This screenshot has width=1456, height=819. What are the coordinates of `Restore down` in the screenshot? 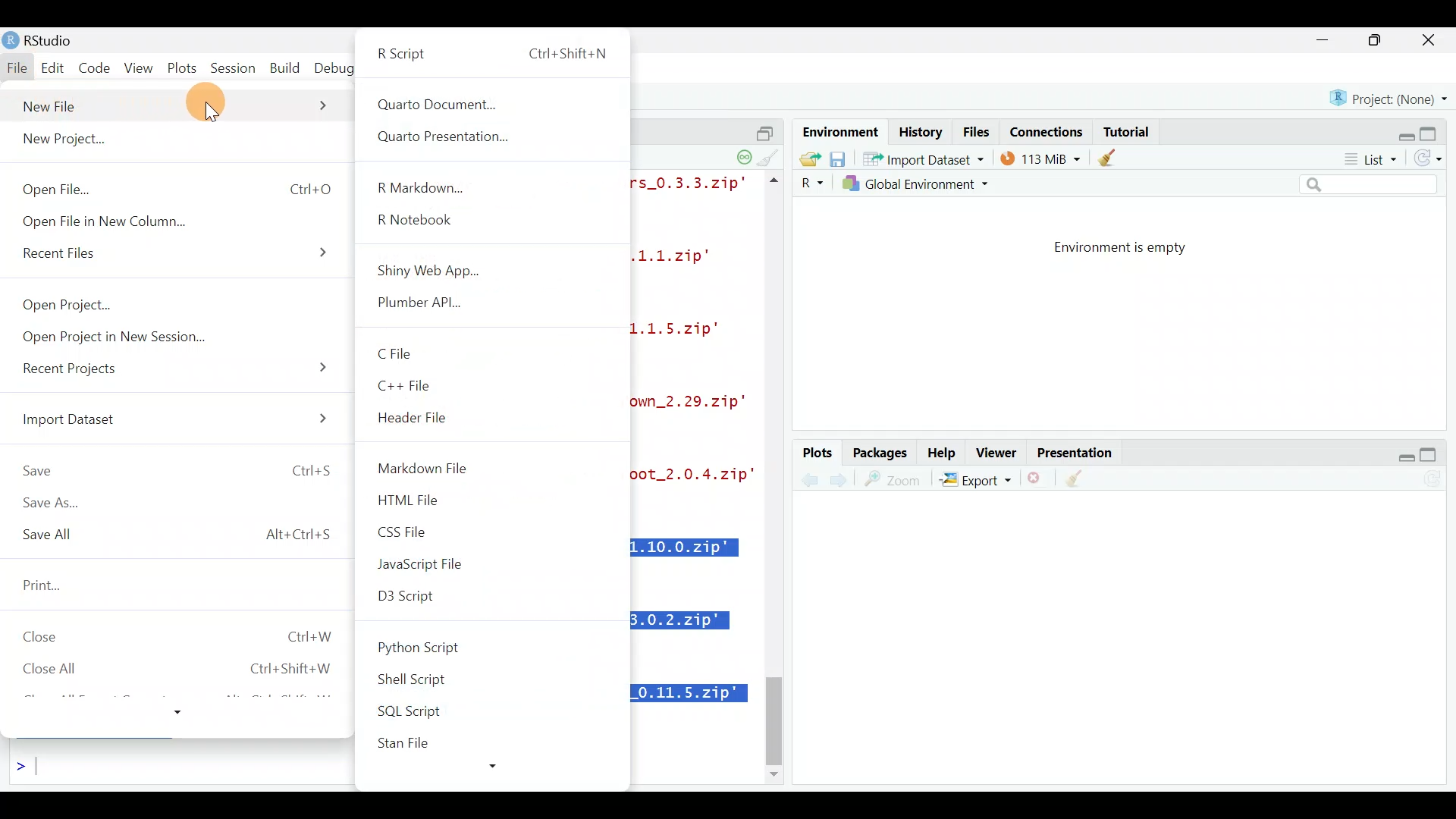 It's located at (1400, 131).